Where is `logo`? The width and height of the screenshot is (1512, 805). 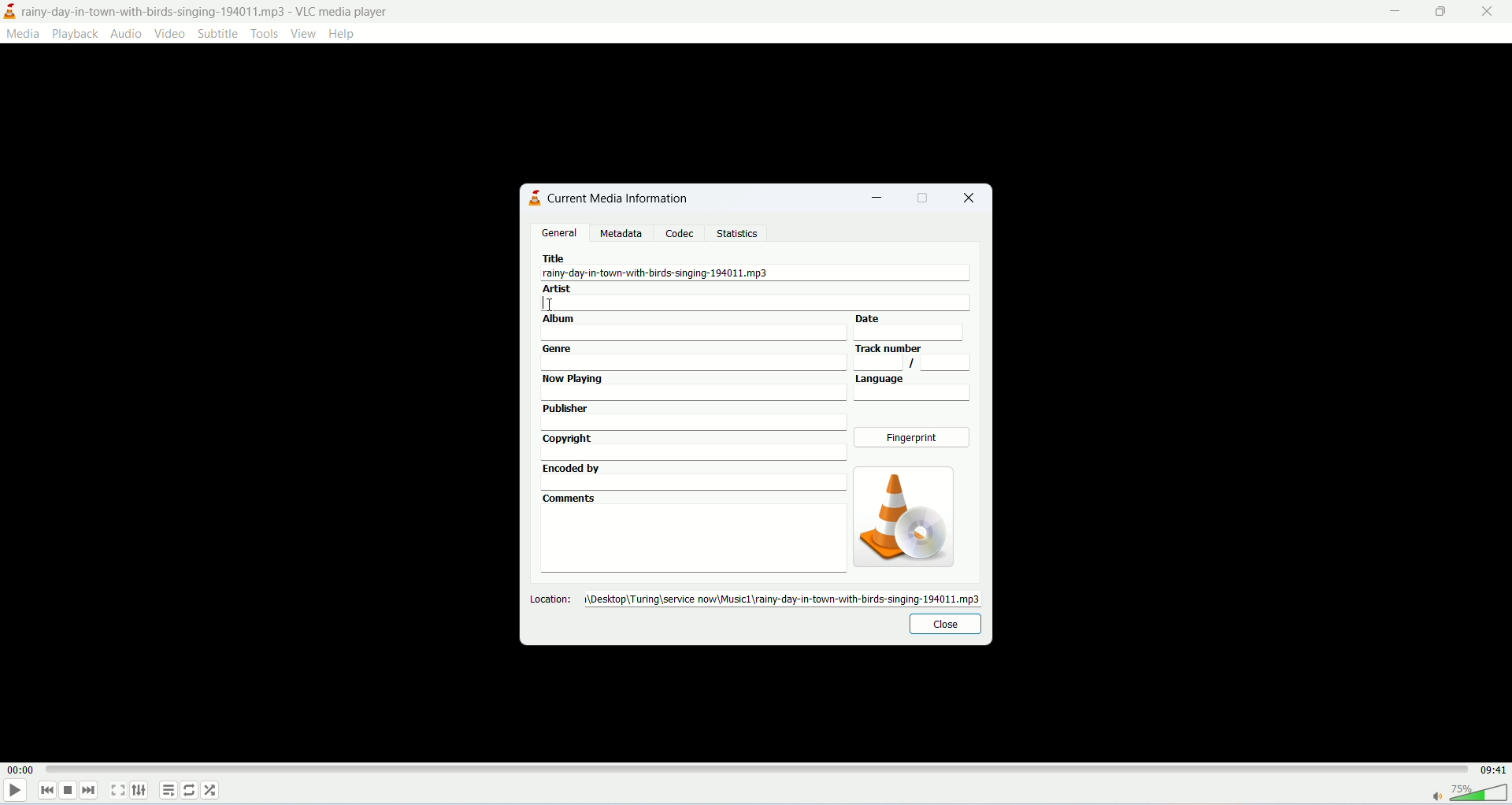
logo is located at coordinates (531, 198).